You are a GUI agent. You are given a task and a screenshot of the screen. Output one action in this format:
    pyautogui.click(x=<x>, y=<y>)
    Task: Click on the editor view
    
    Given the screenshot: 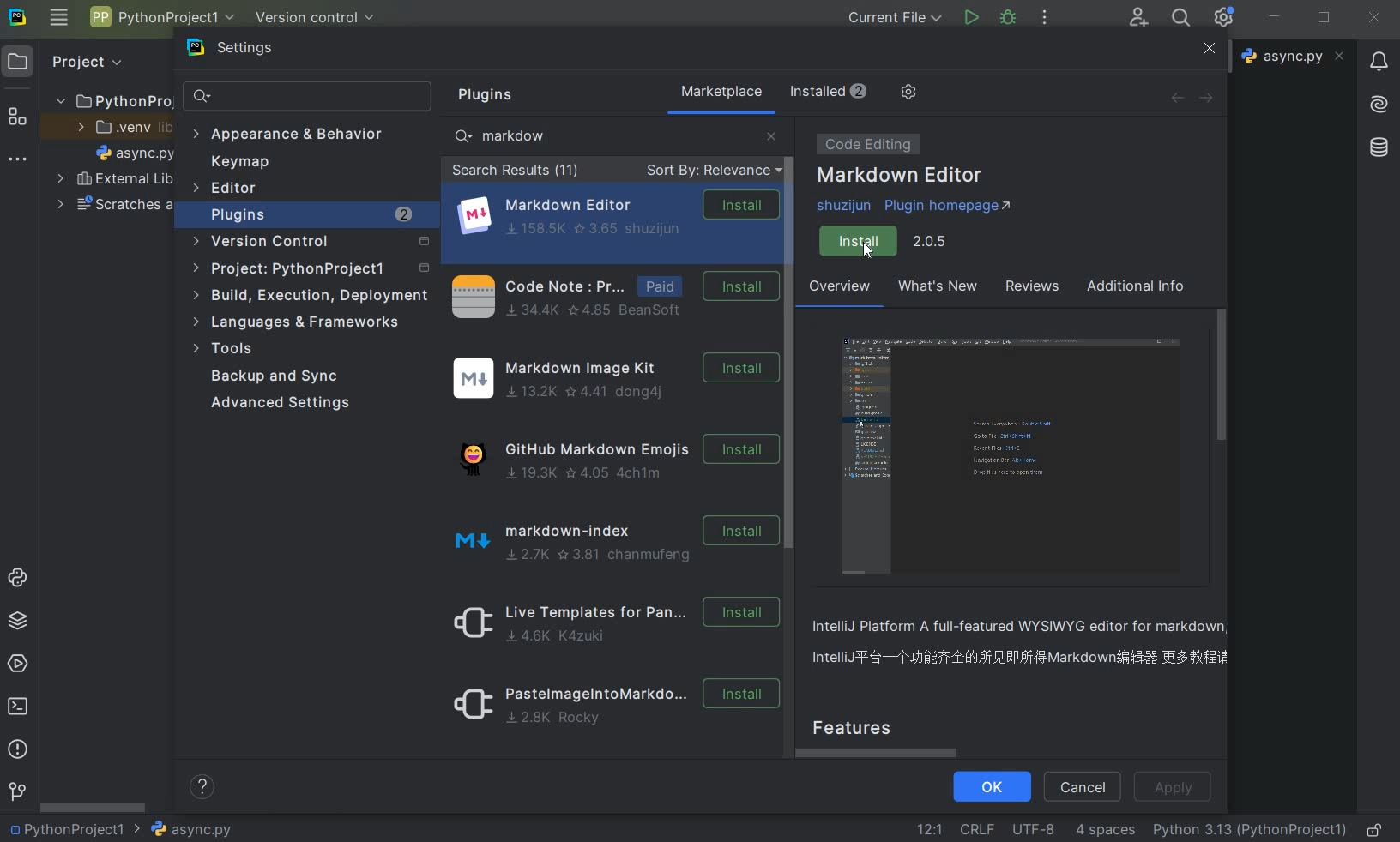 What is the action you would take?
    pyautogui.click(x=1016, y=457)
    